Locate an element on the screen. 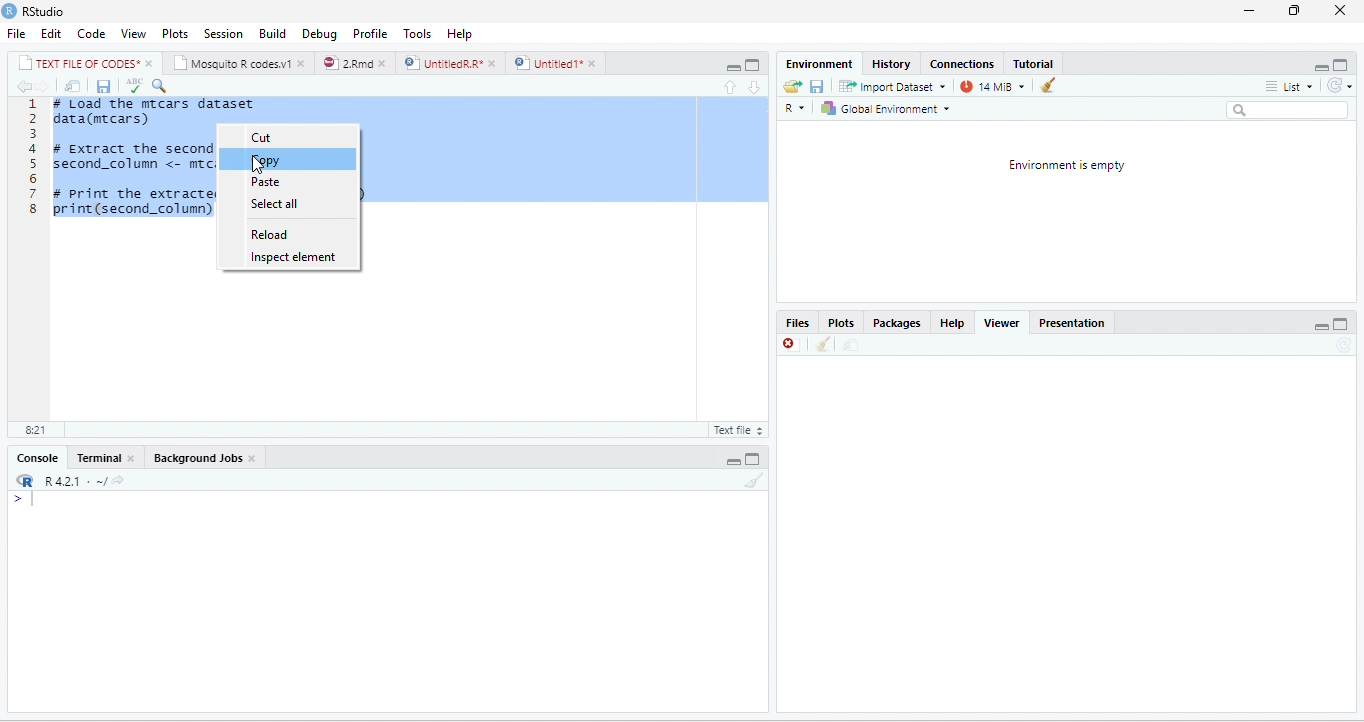  Edit is located at coordinates (51, 34).